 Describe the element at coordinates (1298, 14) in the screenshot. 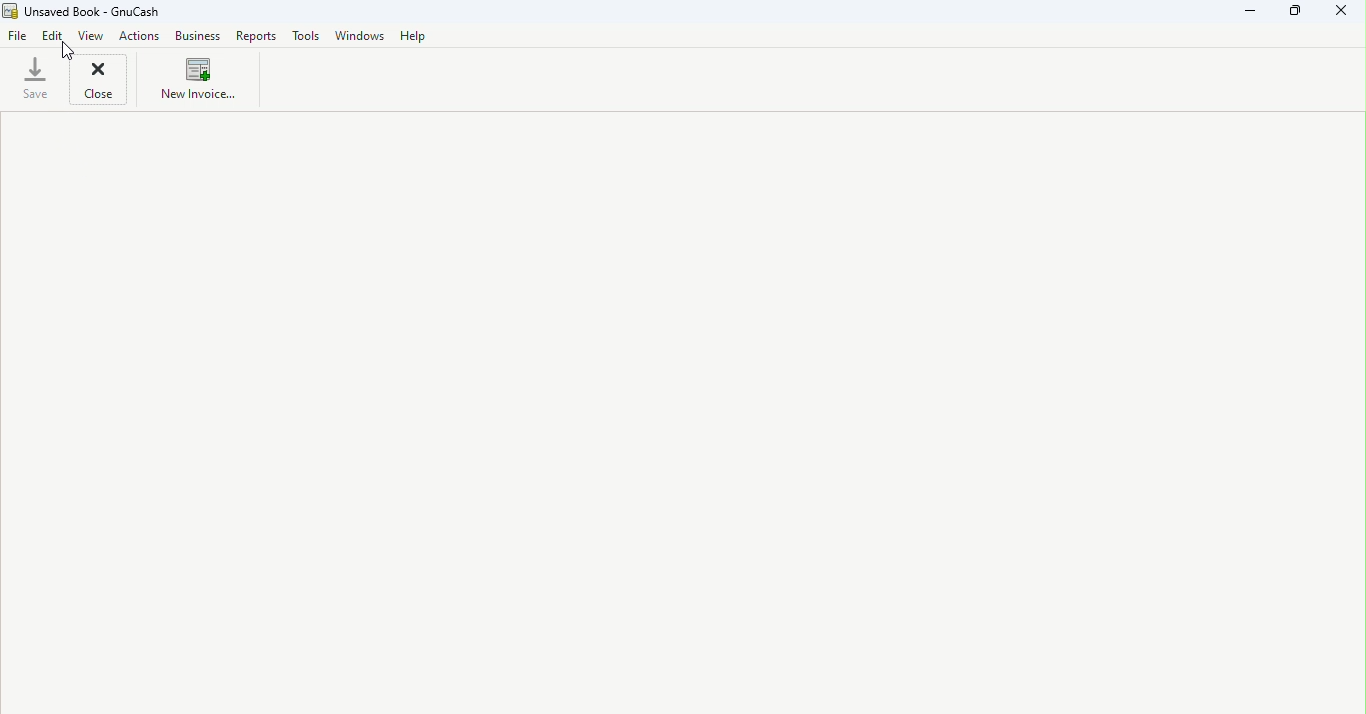

I see `Maximize` at that location.